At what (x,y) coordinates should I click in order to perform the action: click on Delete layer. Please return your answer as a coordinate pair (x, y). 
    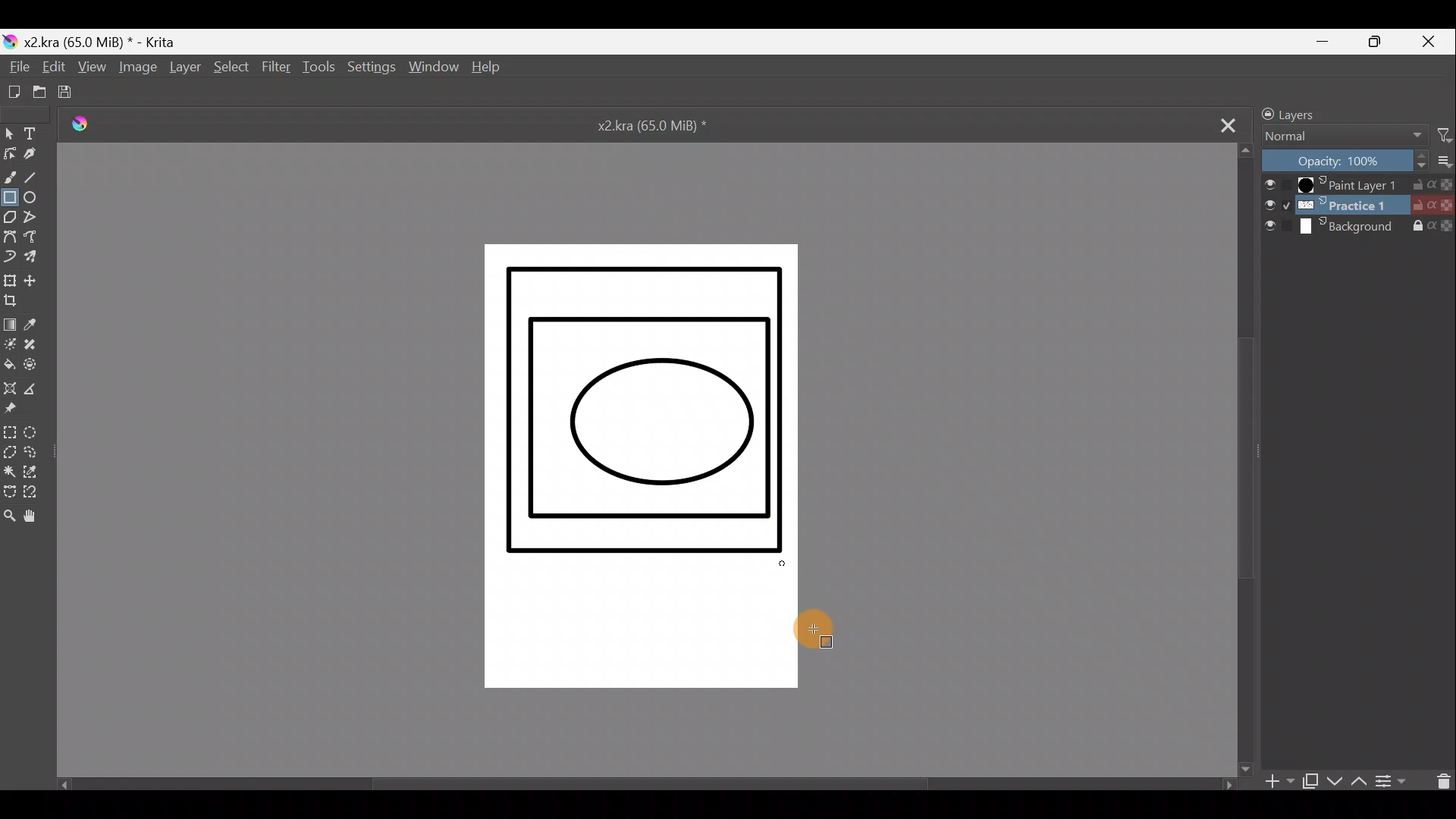
    Looking at the image, I should click on (1438, 783).